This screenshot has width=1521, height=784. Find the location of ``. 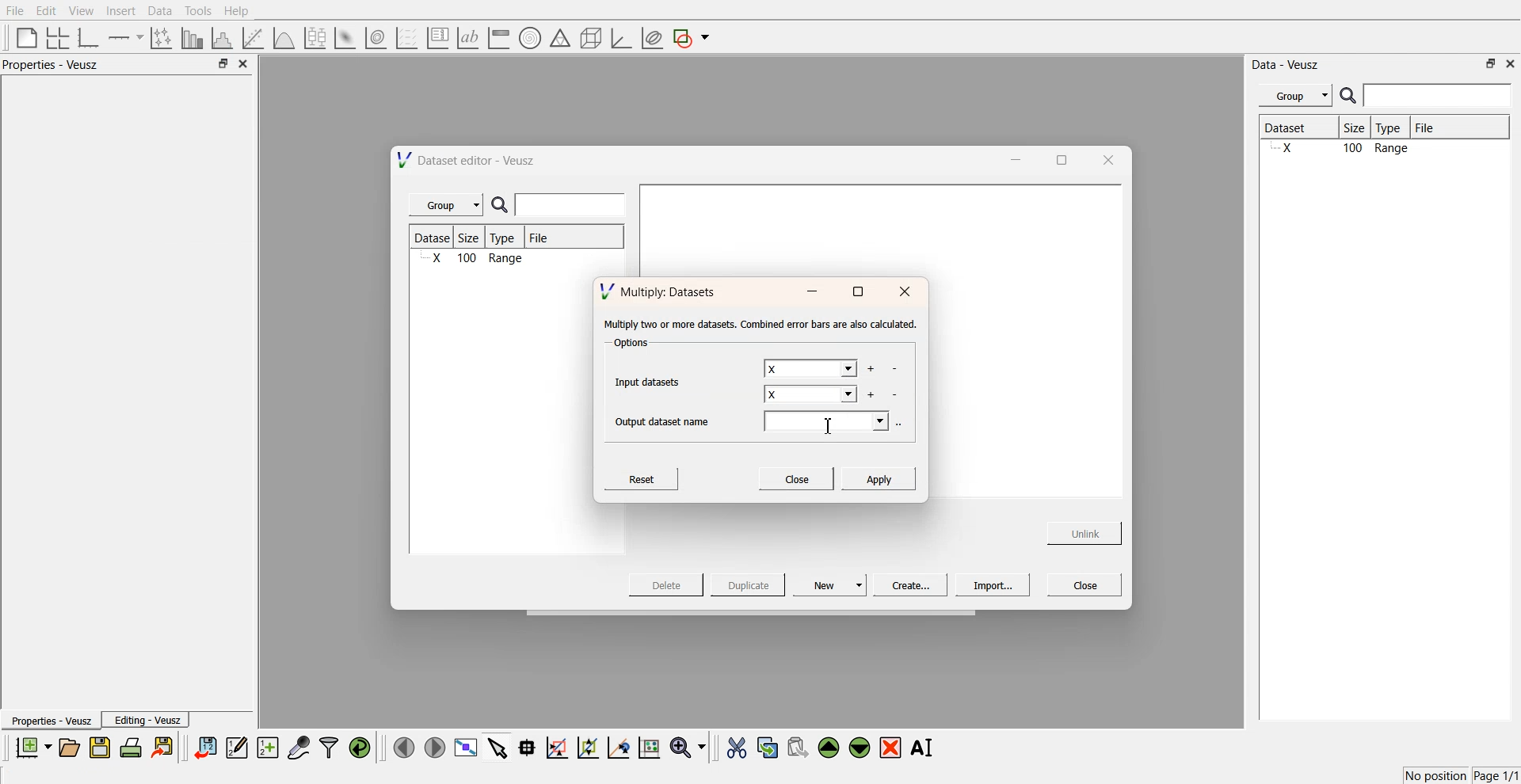

 is located at coordinates (1295, 96).